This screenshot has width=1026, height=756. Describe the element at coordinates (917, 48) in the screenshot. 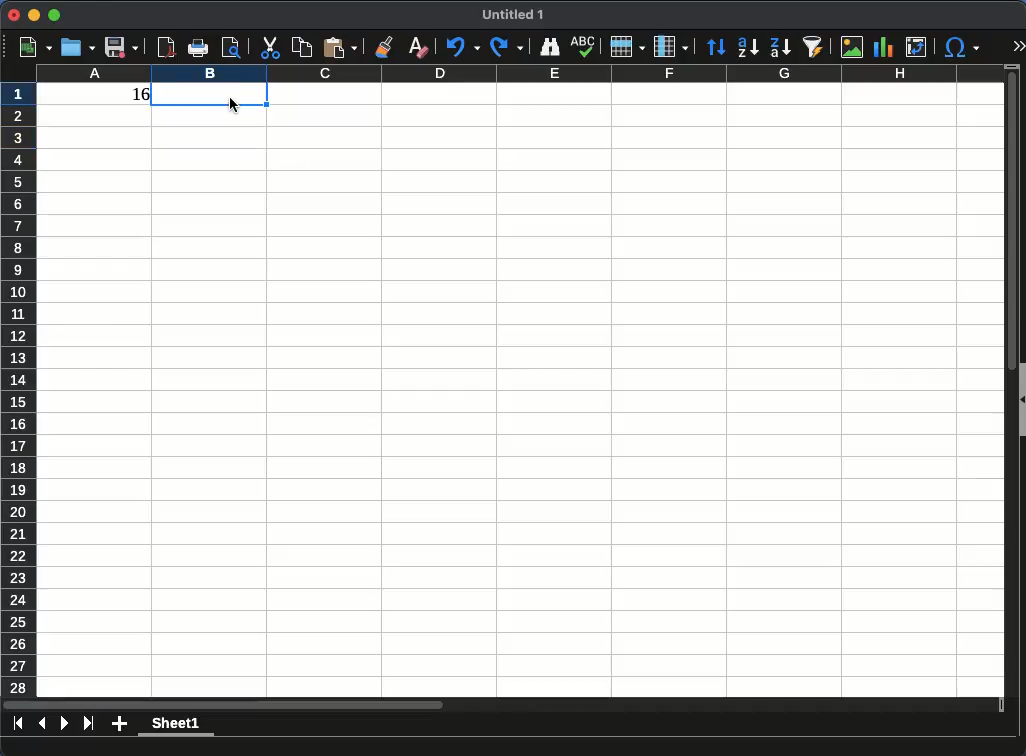

I see `pivot table` at that location.